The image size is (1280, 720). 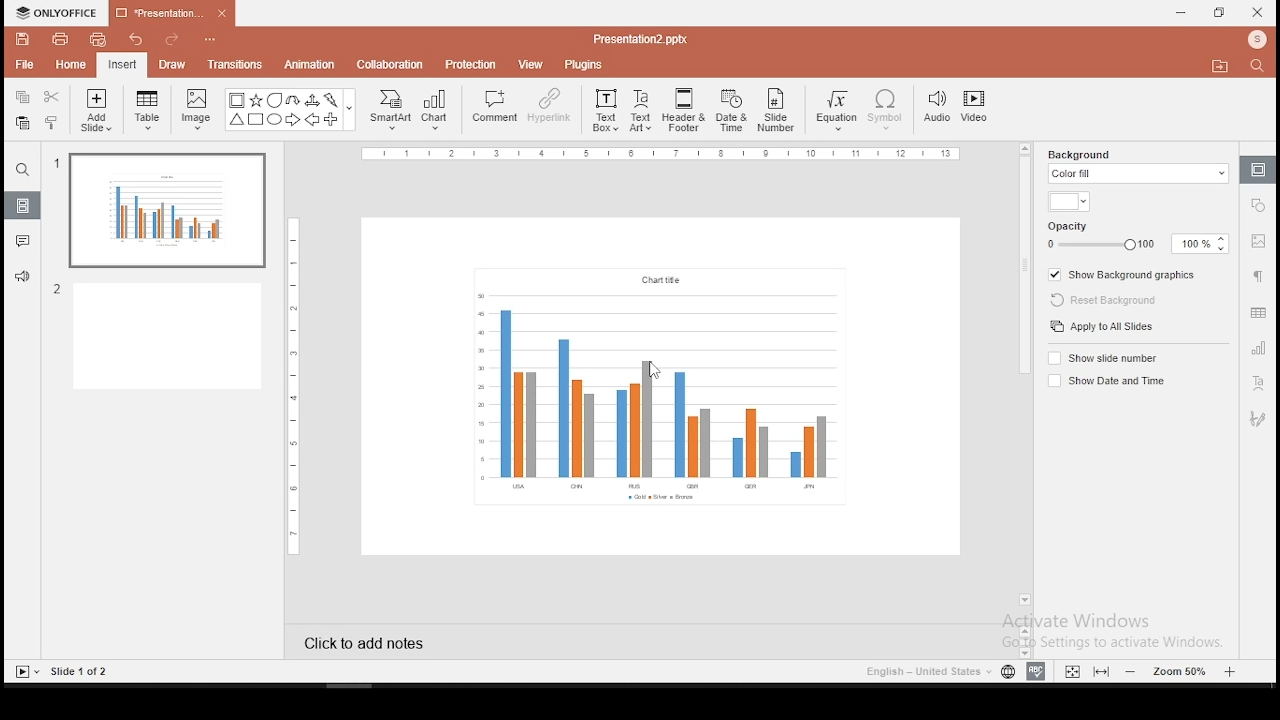 I want to click on comment, so click(x=491, y=111).